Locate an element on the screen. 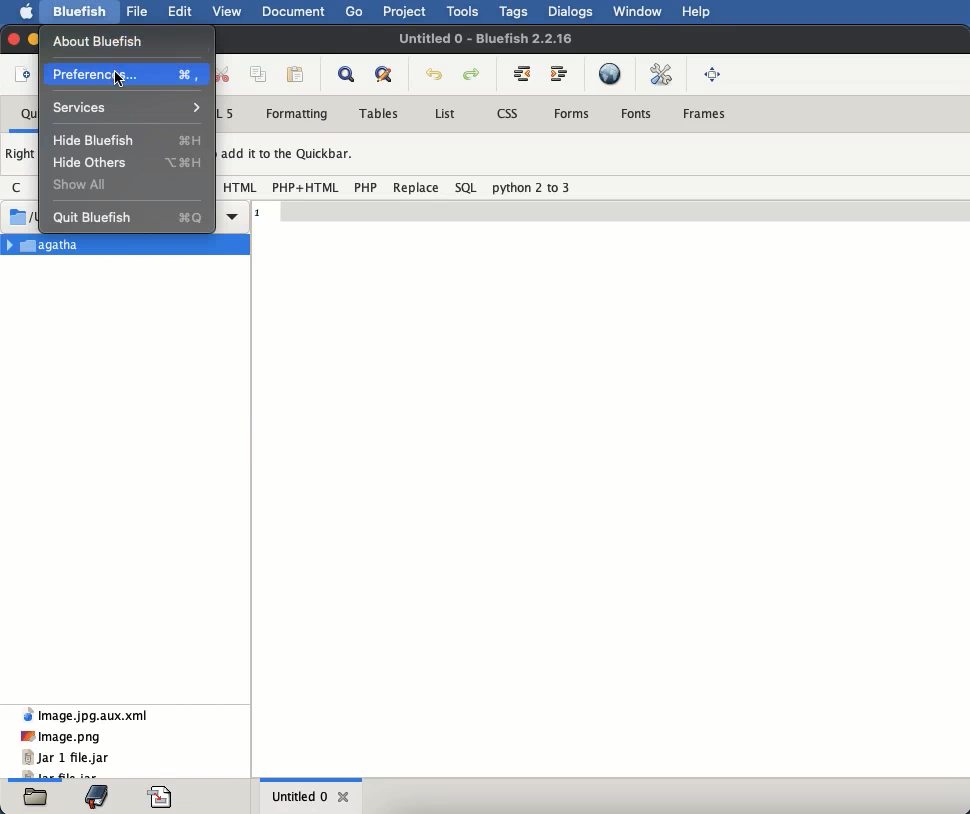  SQL is located at coordinates (467, 187).